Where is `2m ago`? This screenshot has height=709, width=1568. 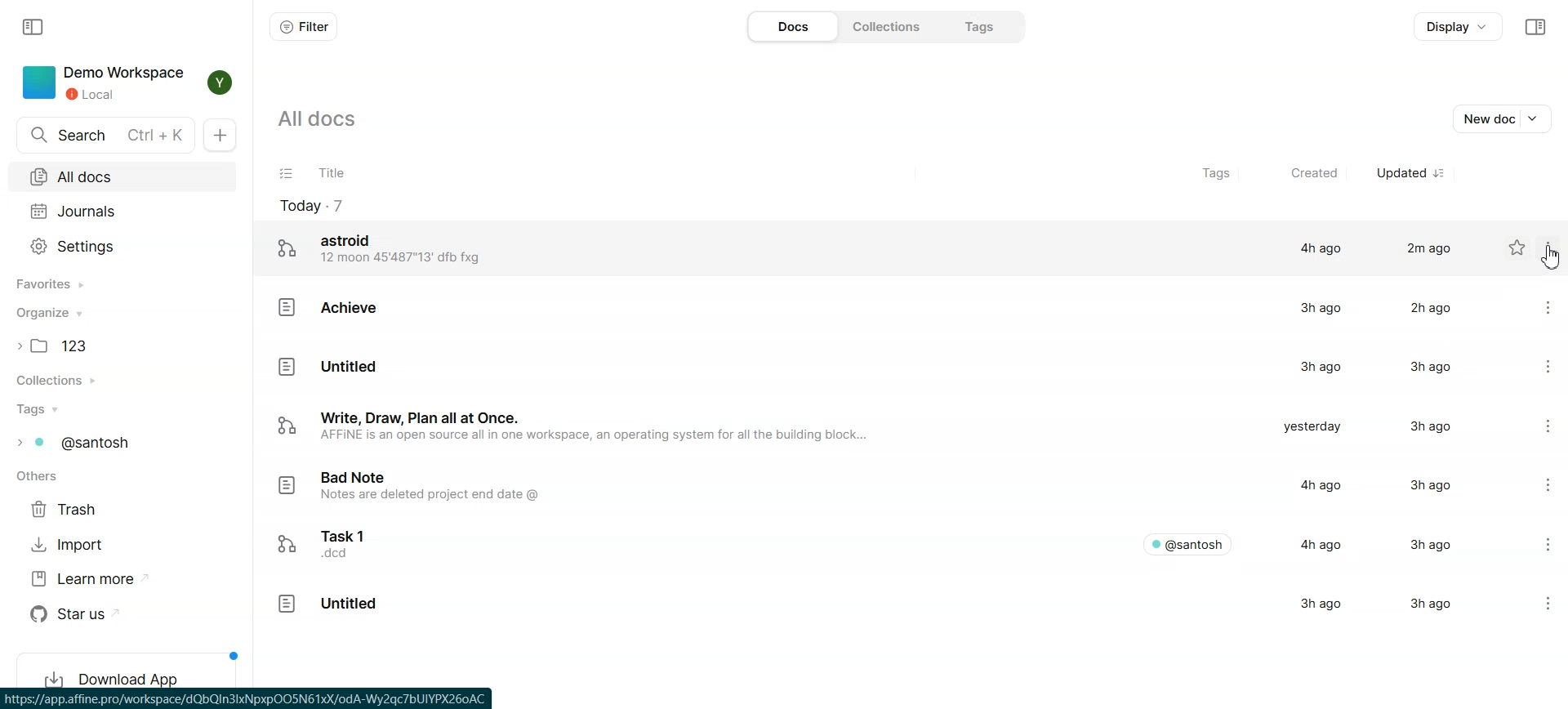
2m ago is located at coordinates (1430, 250).